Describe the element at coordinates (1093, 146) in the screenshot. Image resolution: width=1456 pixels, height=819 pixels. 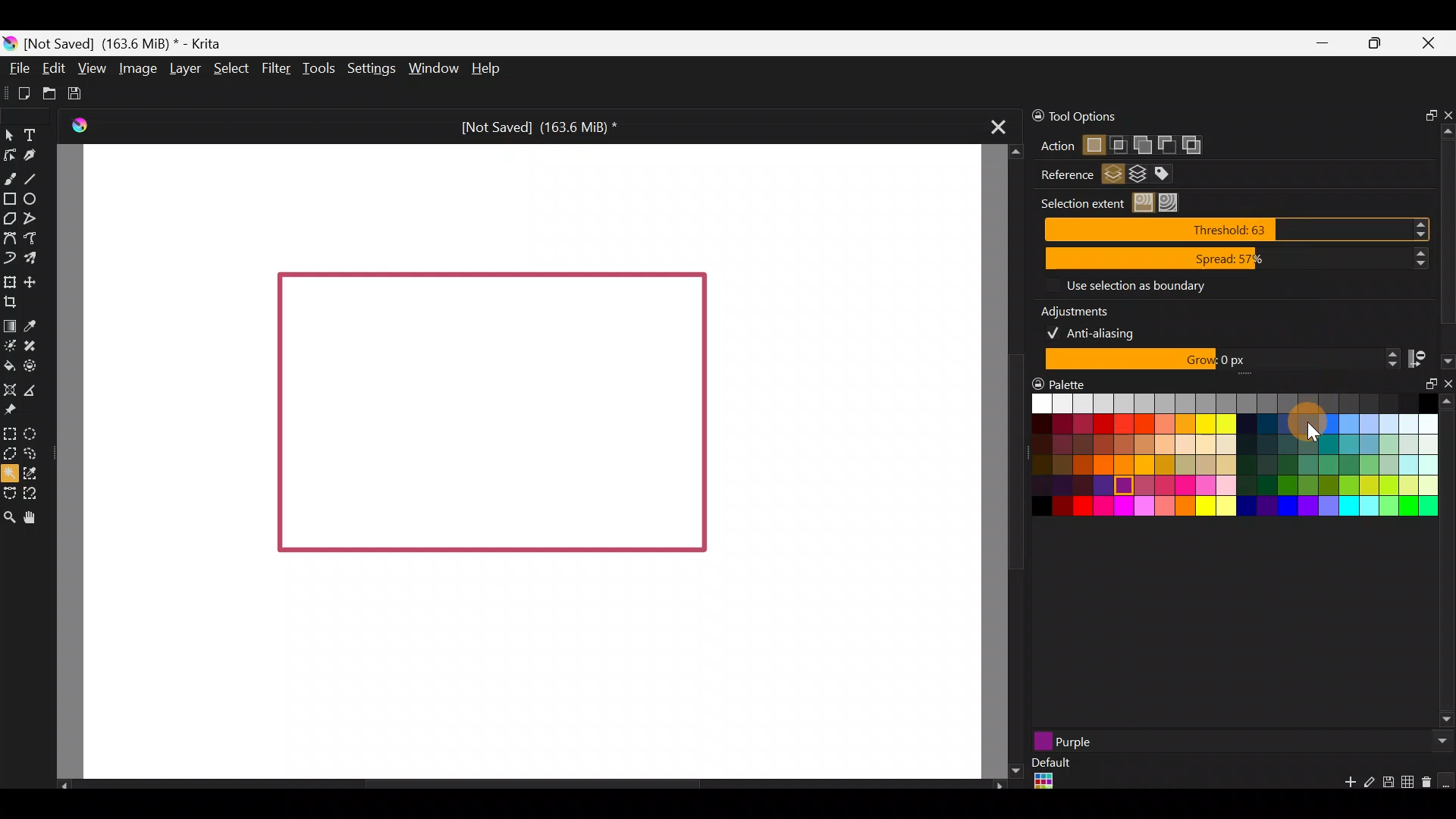
I see `Replace` at that location.